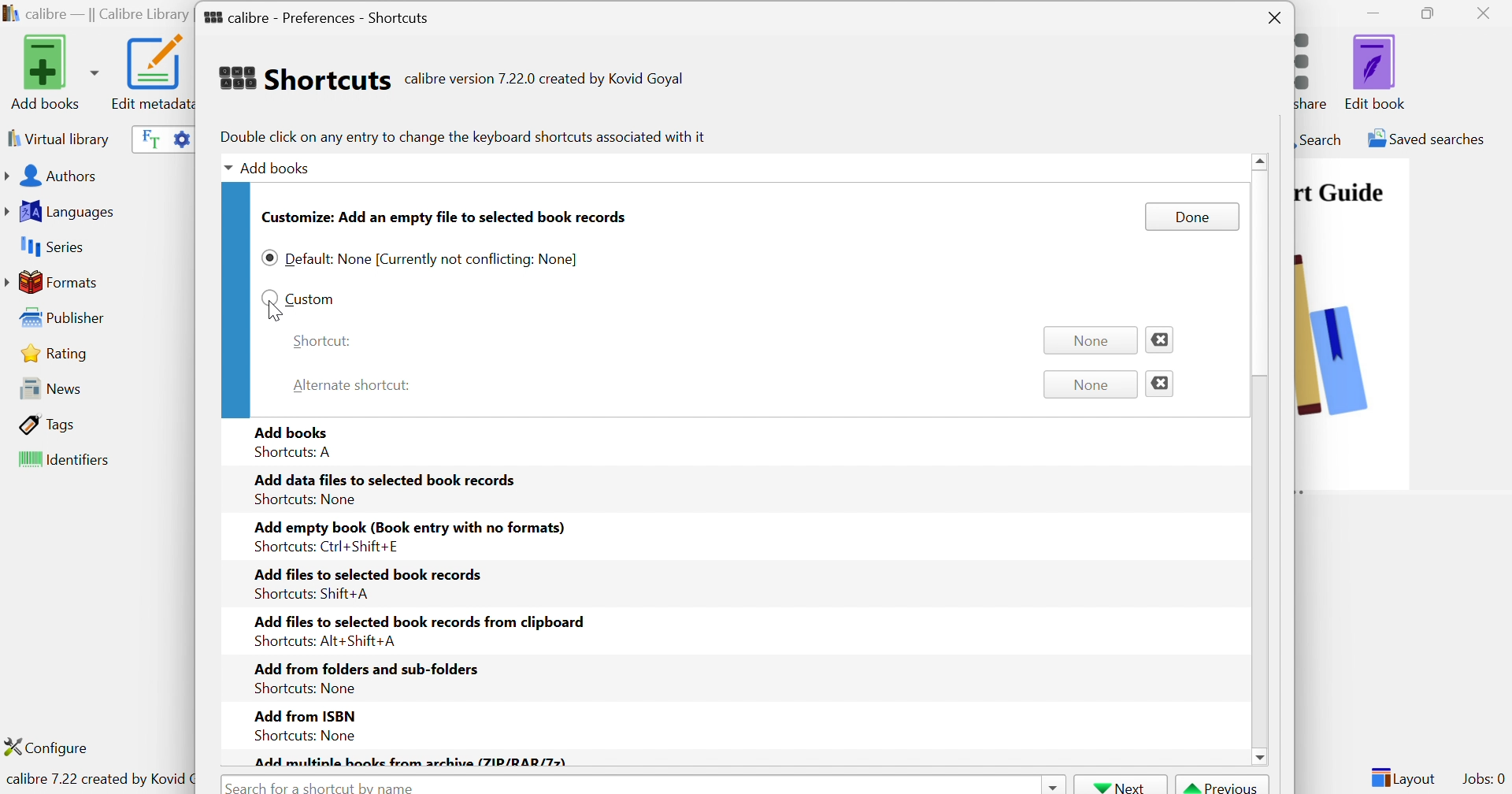 The image size is (1512, 794). Describe the element at coordinates (276, 313) in the screenshot. I see `cursor` at that location.